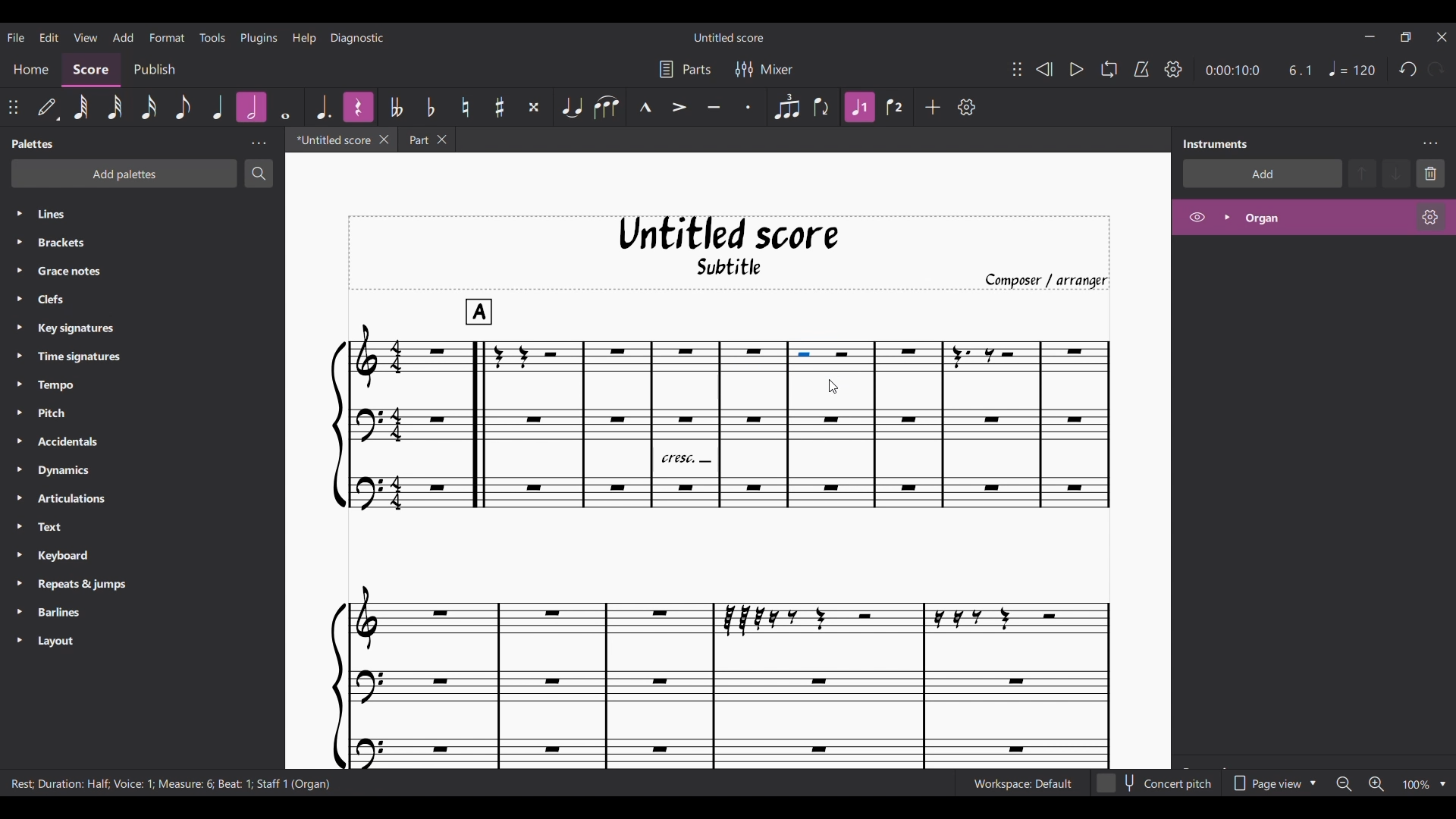  What do you see at coordinates (1142, 70) in the screenshot?
I see `Metronome` at bounding box center [1142, 70].